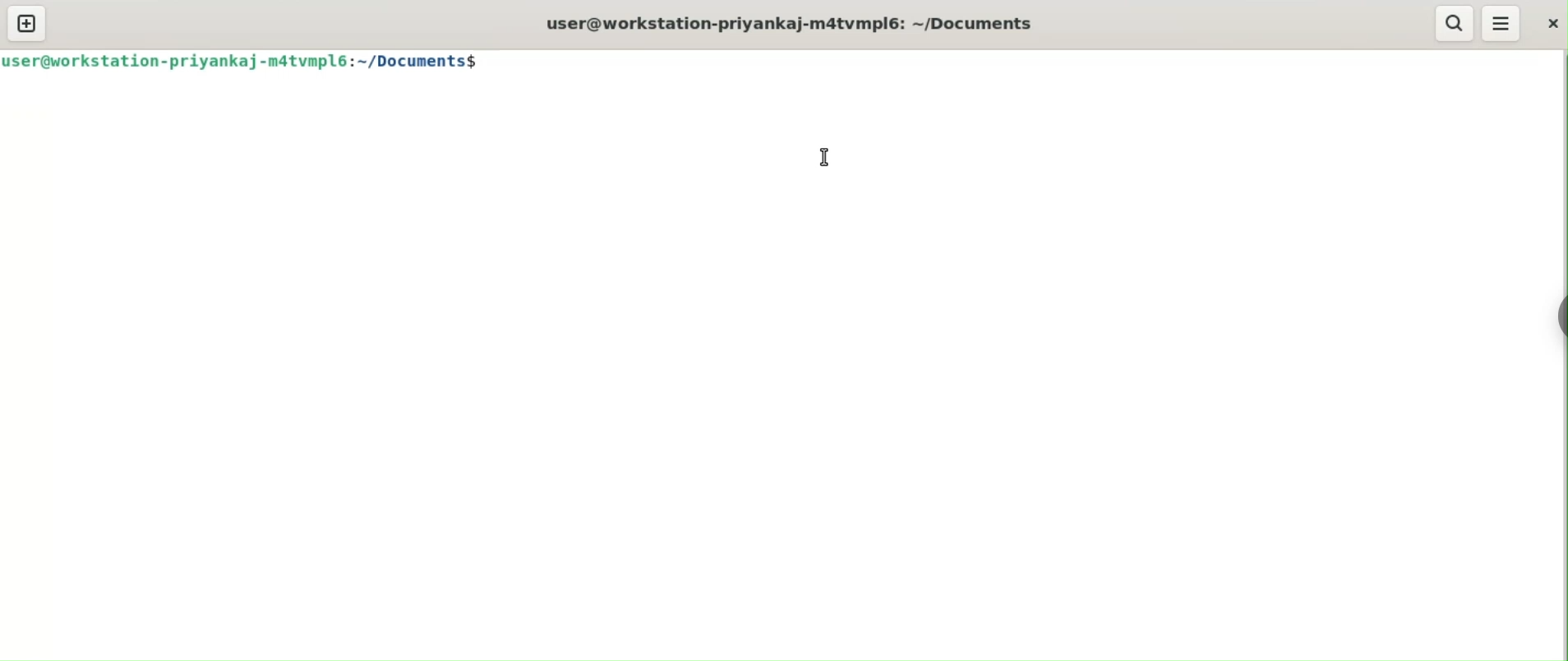  What do you see at coordinates (1453, 24) in the screenshot?
I see `search` at bounding box center [1453, 24].